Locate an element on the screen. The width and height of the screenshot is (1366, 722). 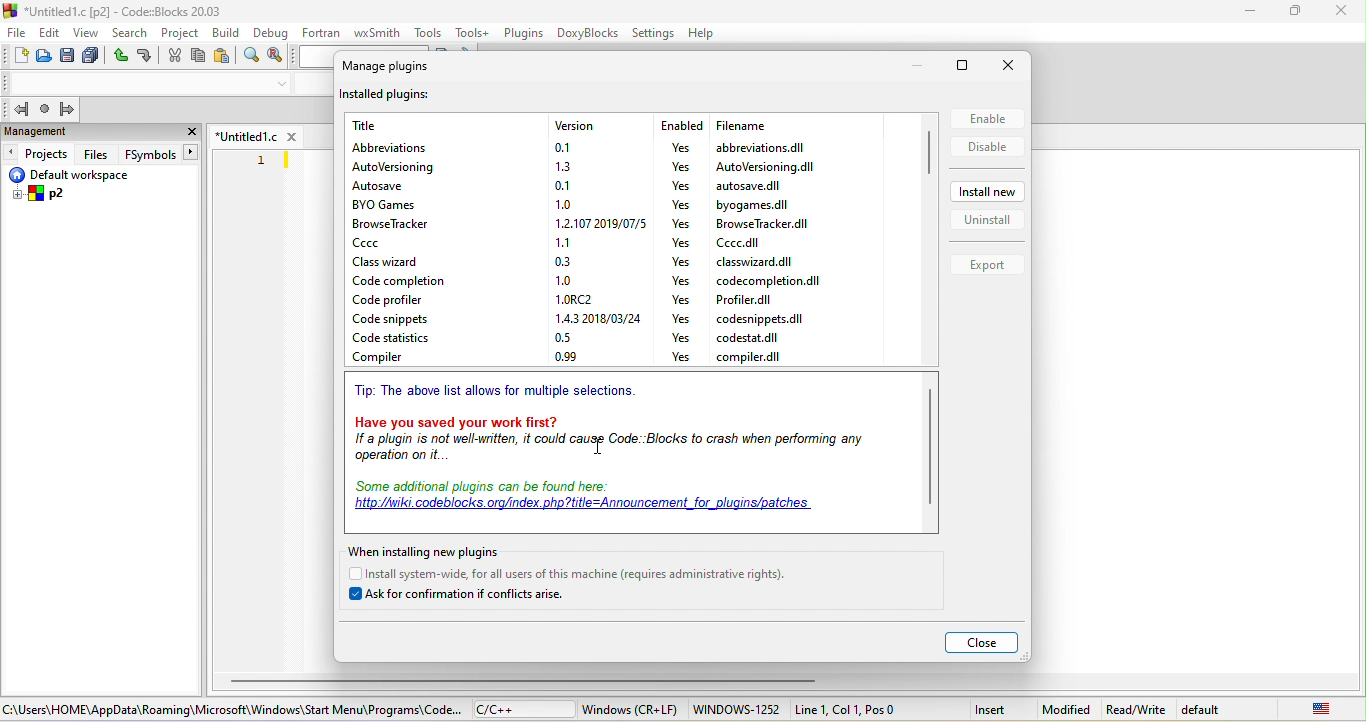
filename is located at coordinates (769, 126).